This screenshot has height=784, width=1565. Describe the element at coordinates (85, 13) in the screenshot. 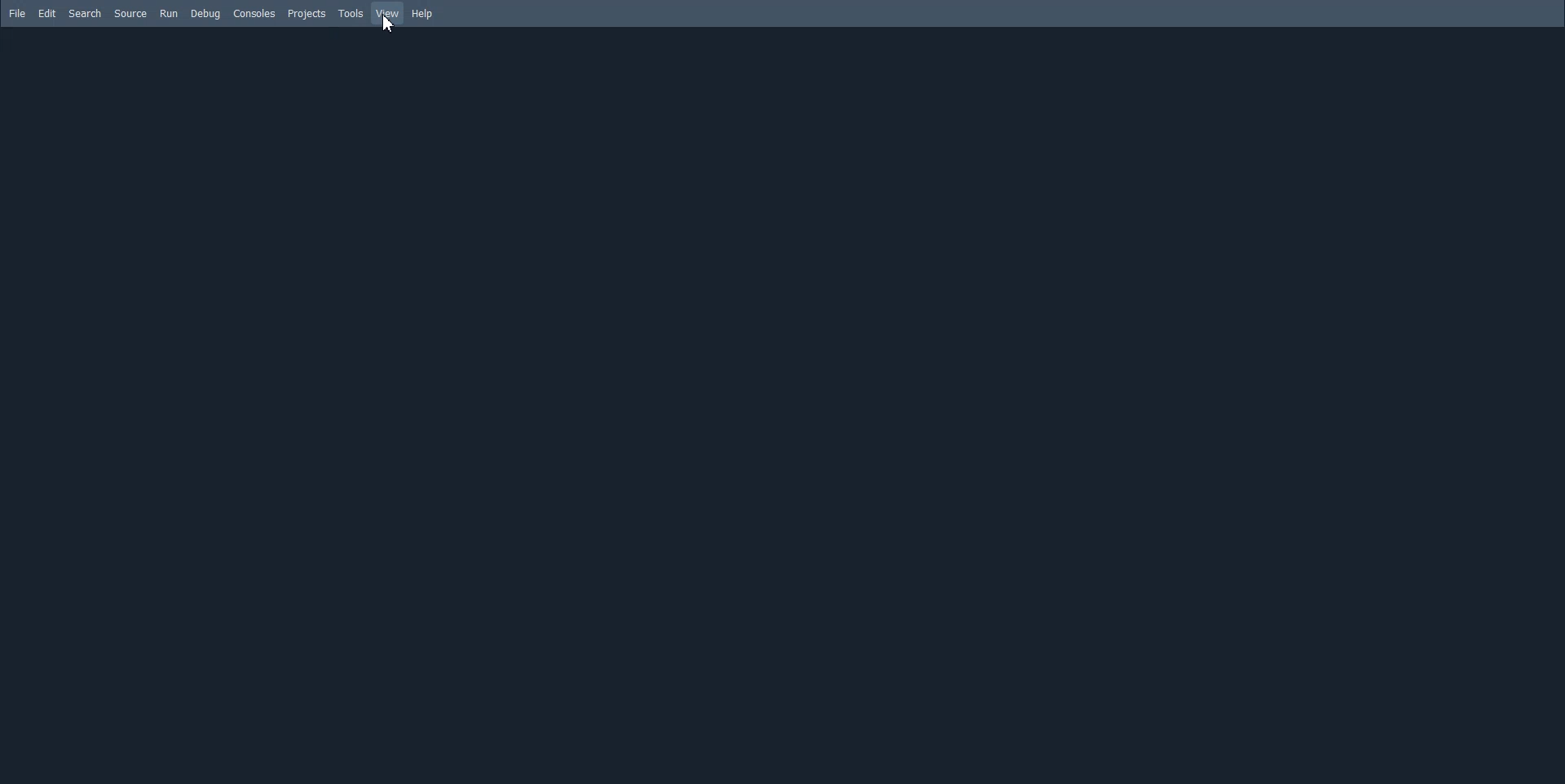

I see `Search` at that location.